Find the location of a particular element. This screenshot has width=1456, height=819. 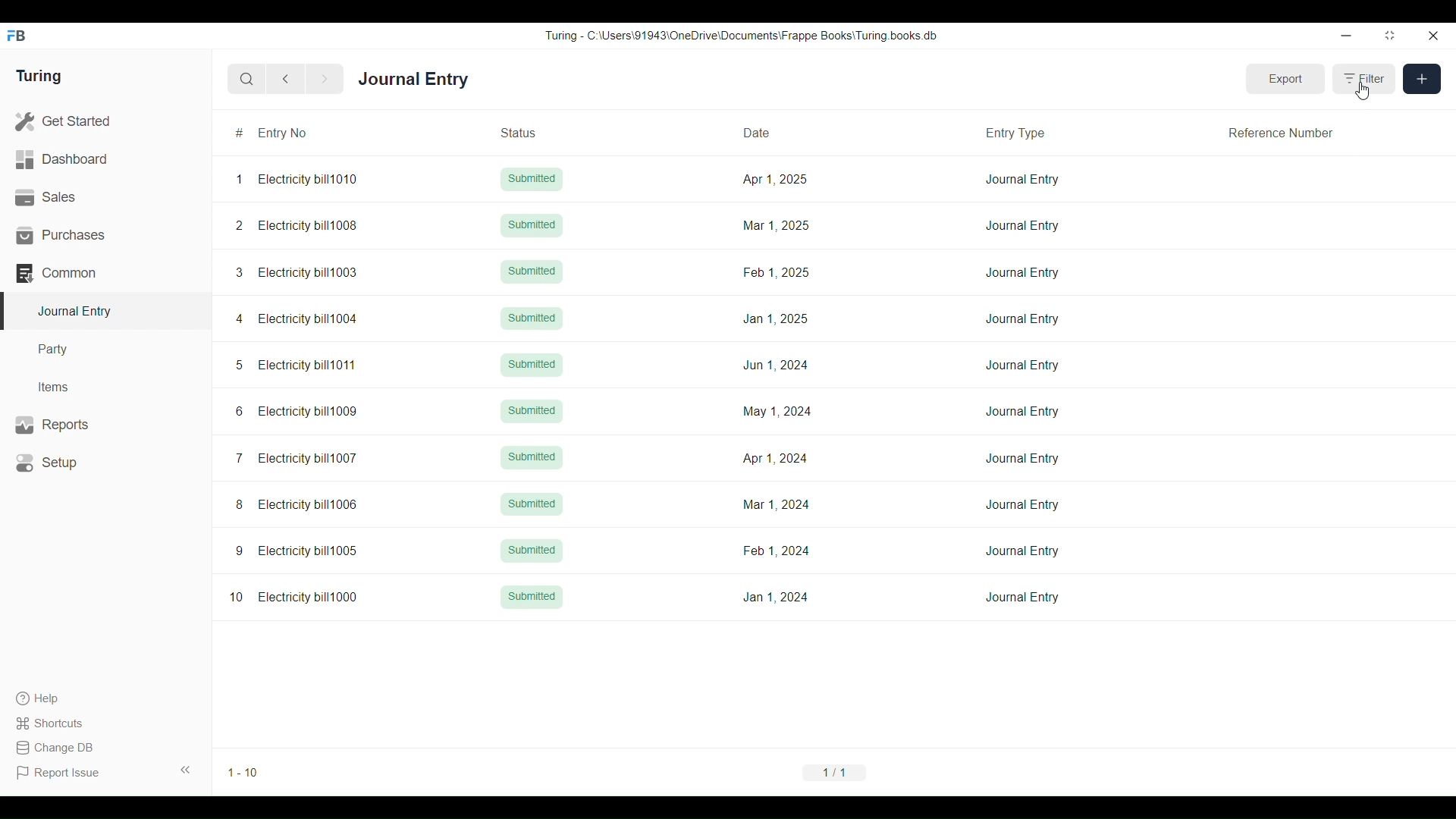

Submitted is located at coordinates (532, 365).